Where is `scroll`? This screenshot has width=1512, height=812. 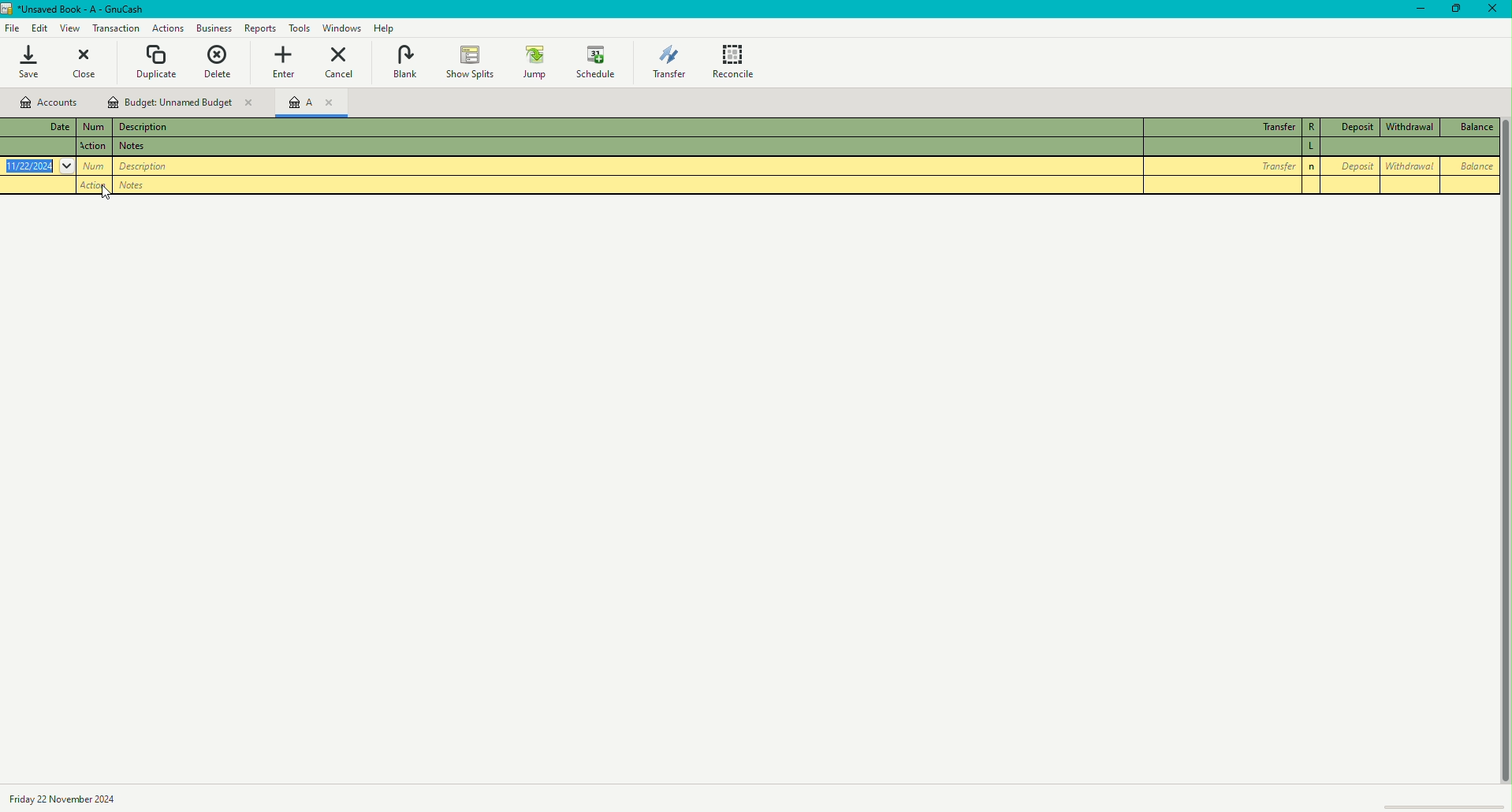
scroll is located at coordinates (1447, 803).